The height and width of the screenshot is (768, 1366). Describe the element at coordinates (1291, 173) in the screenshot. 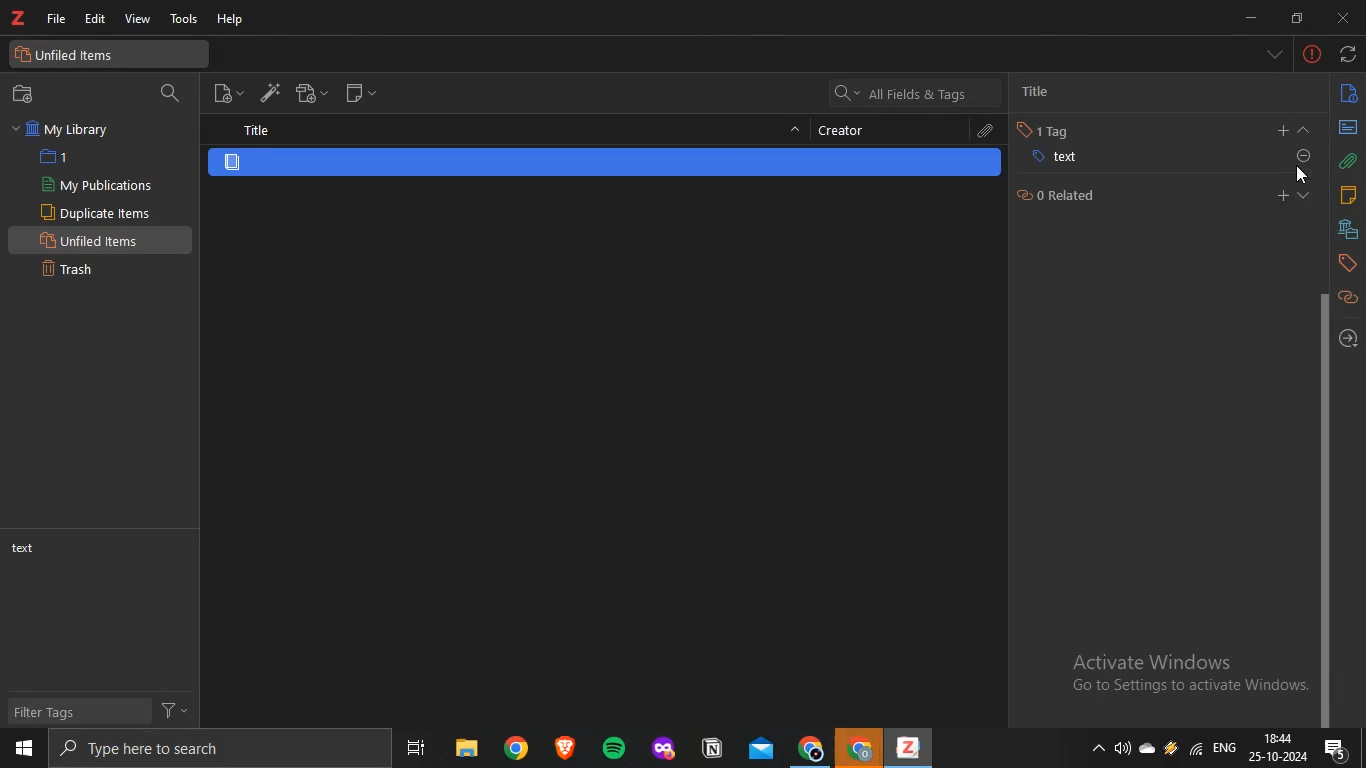

I see `cursor` at that location.